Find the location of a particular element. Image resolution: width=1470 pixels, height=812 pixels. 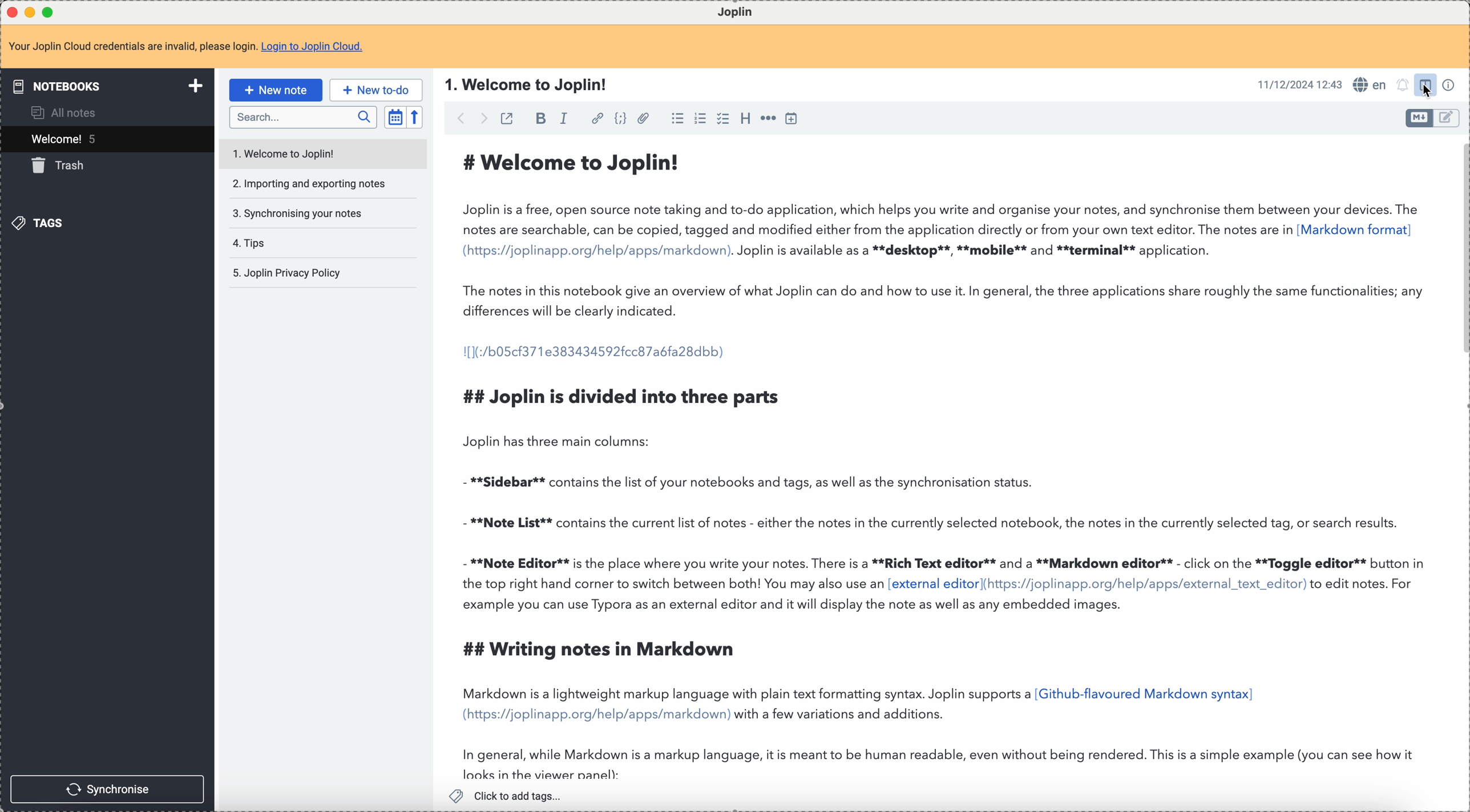

11/12/2024 12:43 is located at coordinates (1299, 84).